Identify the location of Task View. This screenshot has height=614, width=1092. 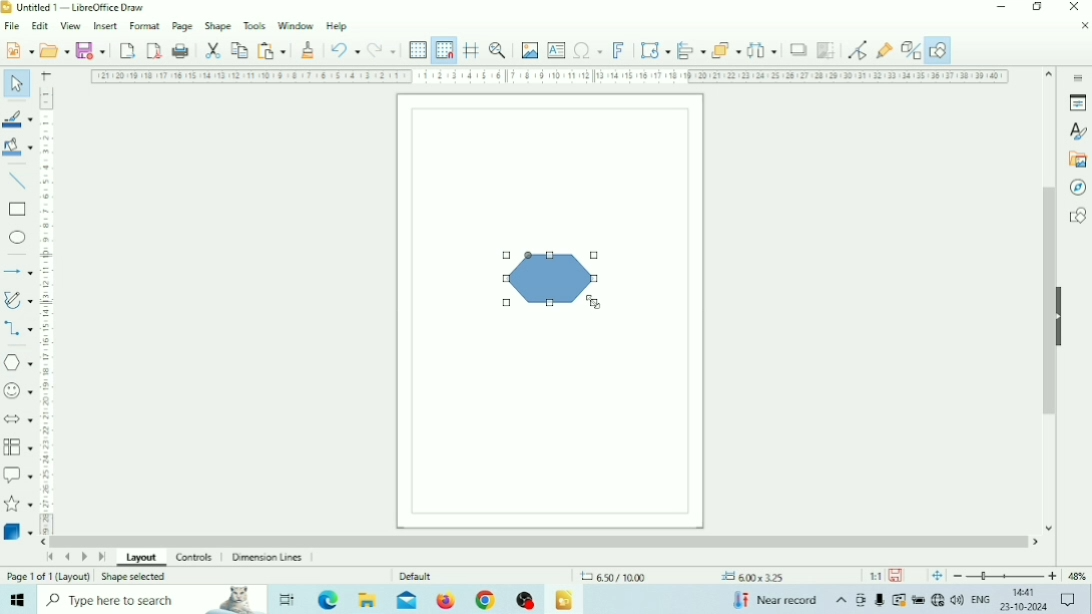
(287, 600).